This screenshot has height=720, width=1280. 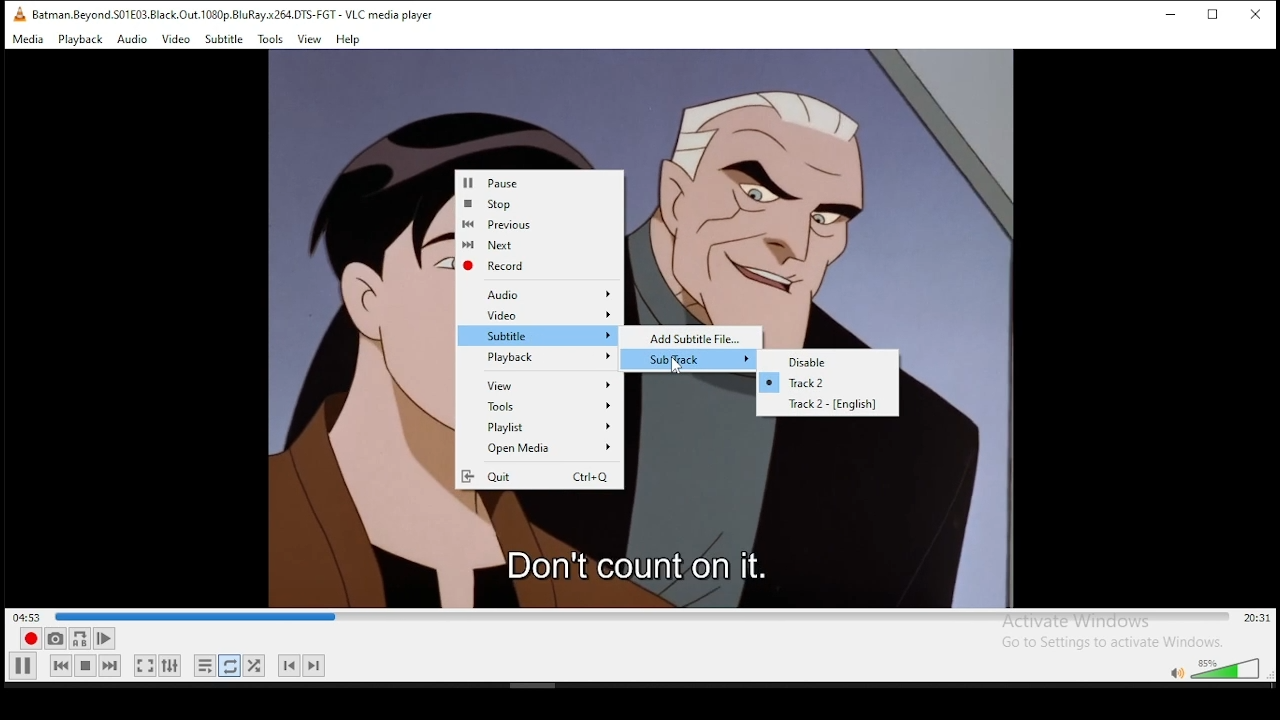 What do you see at coordinates (317, 665) in the screenshot?
I see `Next Track ` at bounding box center [317, 665].